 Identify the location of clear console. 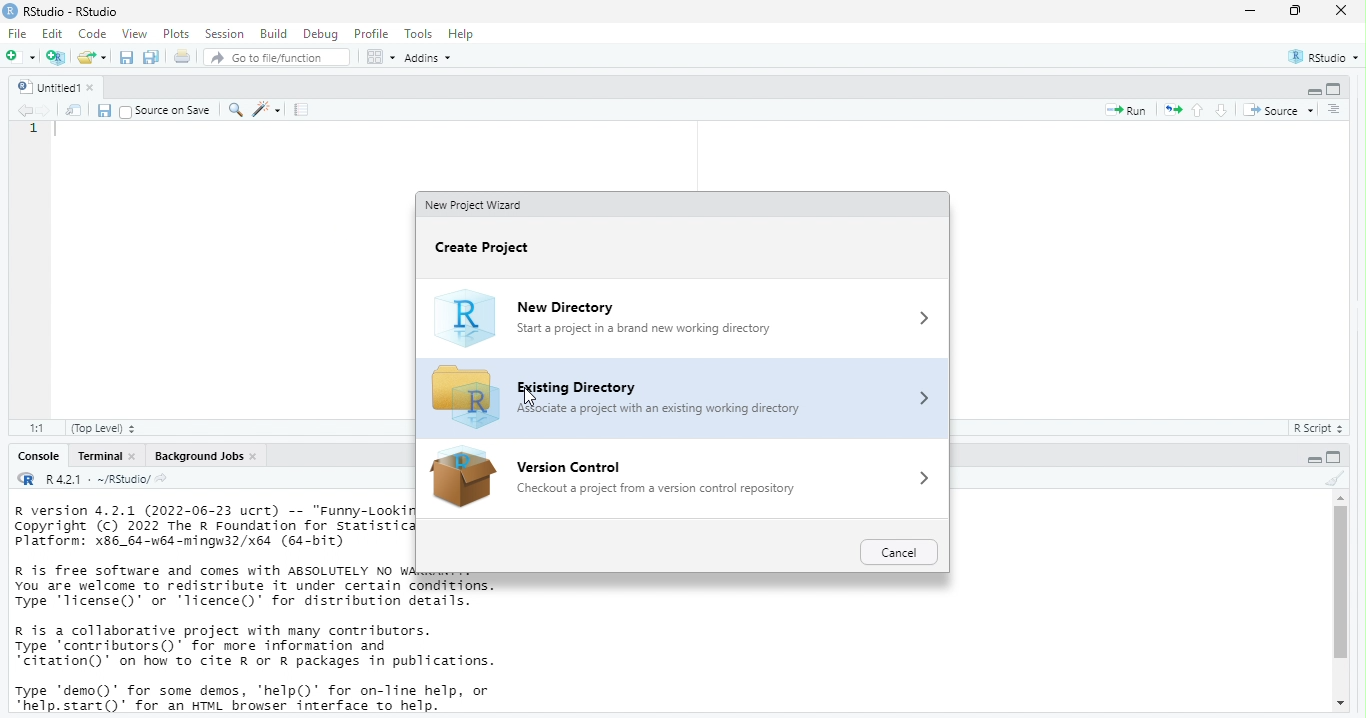
(1336, 478).